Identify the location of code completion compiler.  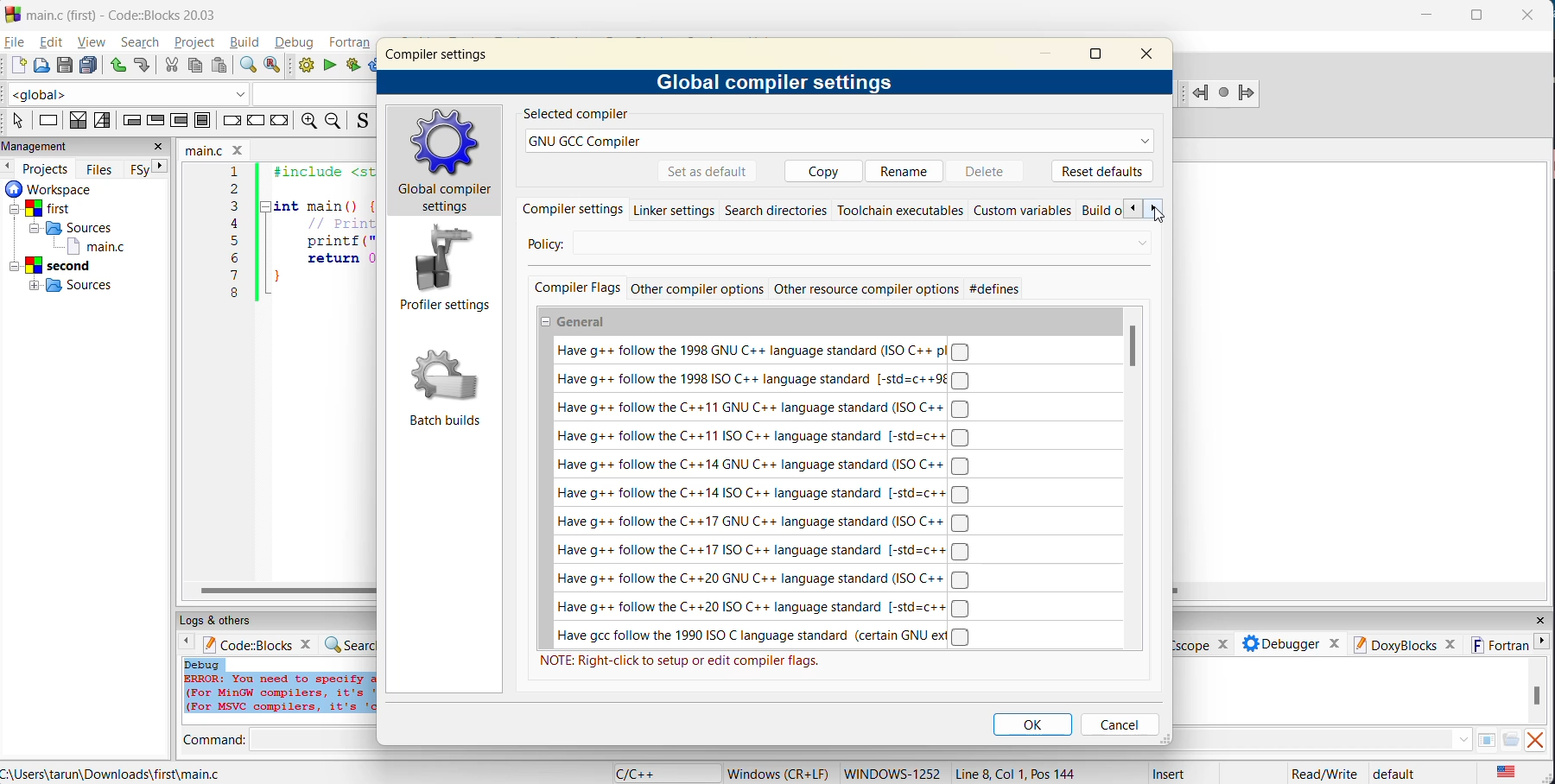
(184, 97).